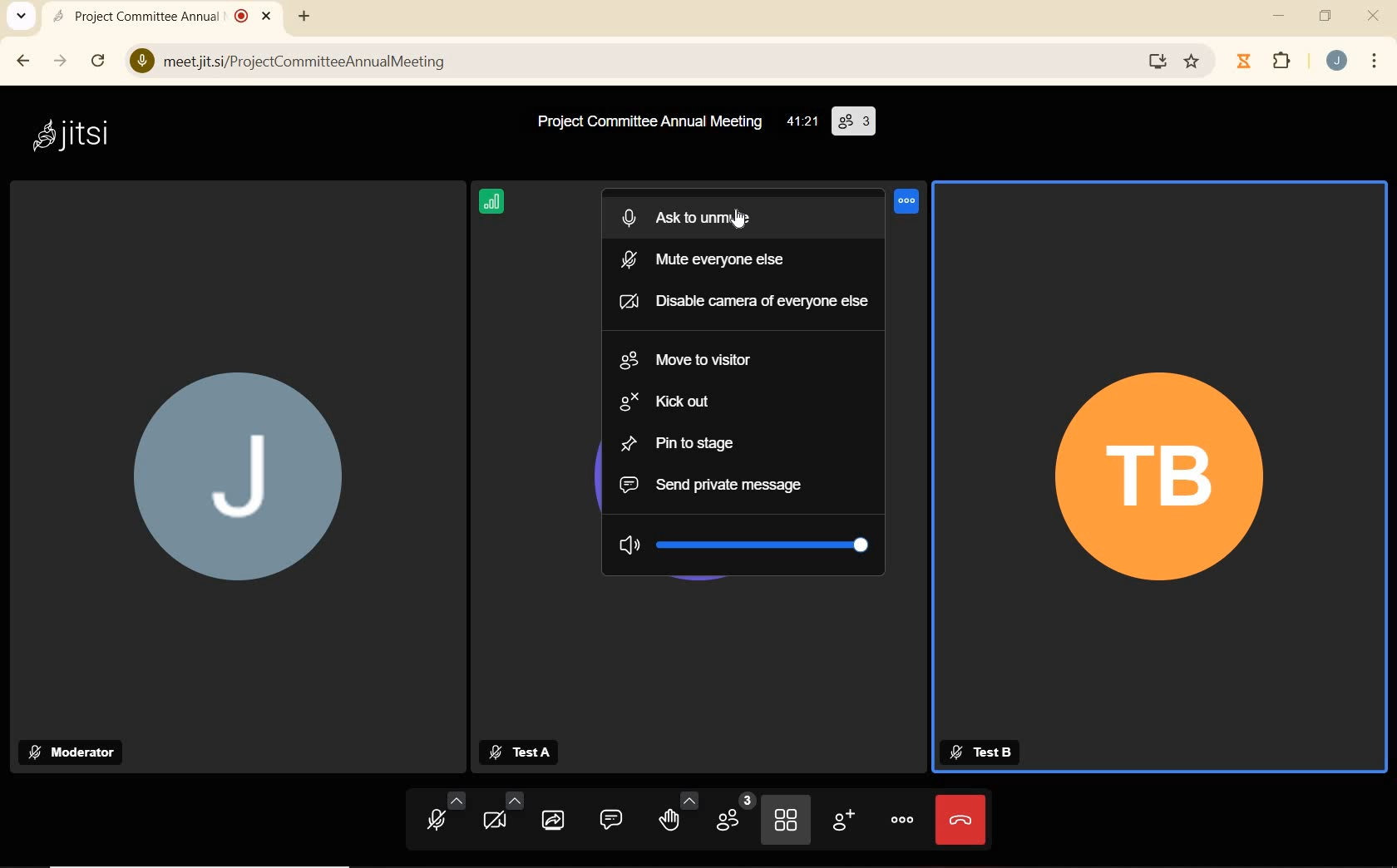  Describe the element at coordinates (1246, 63) in the screenshot. I see `Jibble` at that location.